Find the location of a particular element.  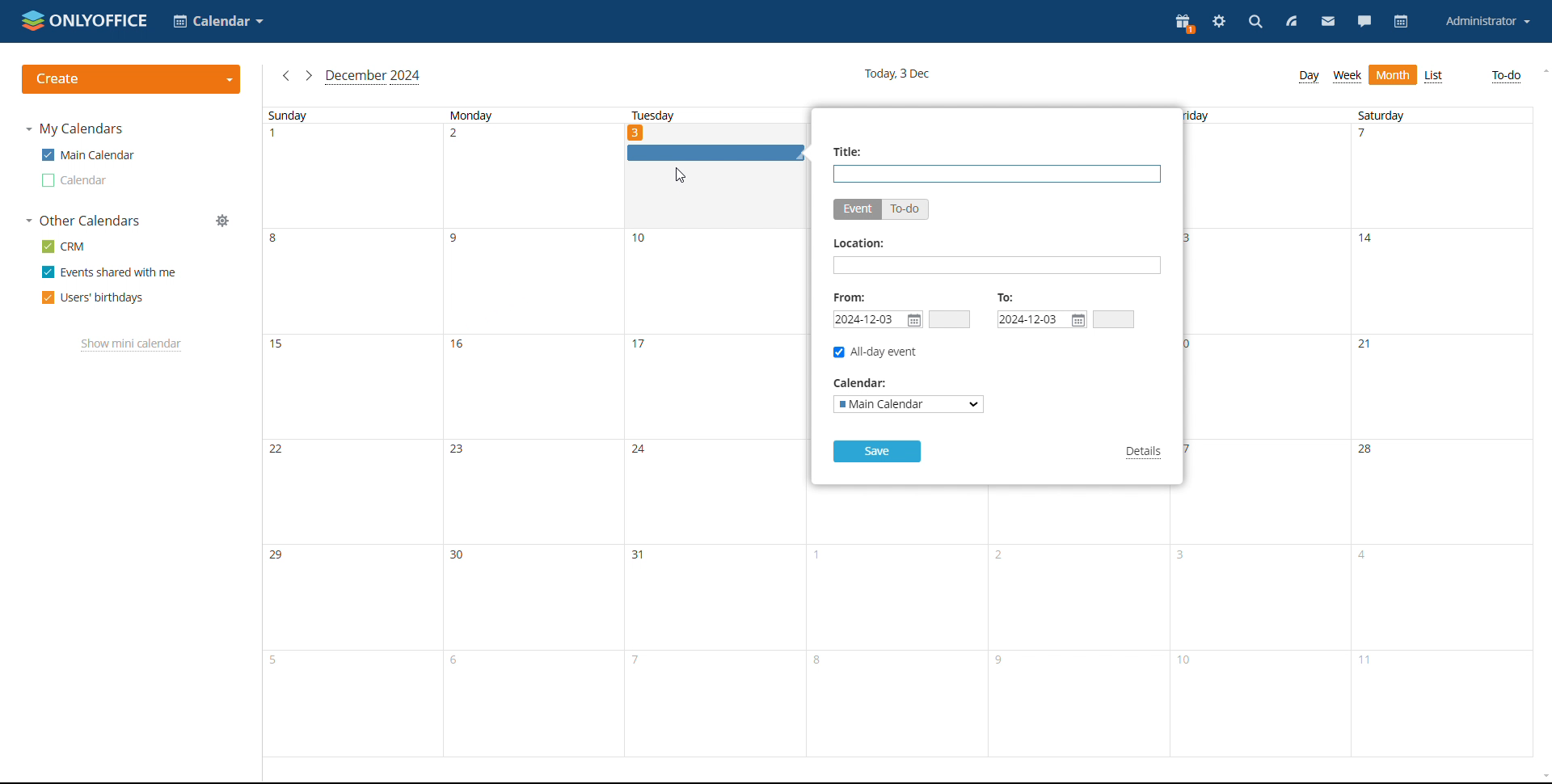

next month is located at coordinates (309, 77).